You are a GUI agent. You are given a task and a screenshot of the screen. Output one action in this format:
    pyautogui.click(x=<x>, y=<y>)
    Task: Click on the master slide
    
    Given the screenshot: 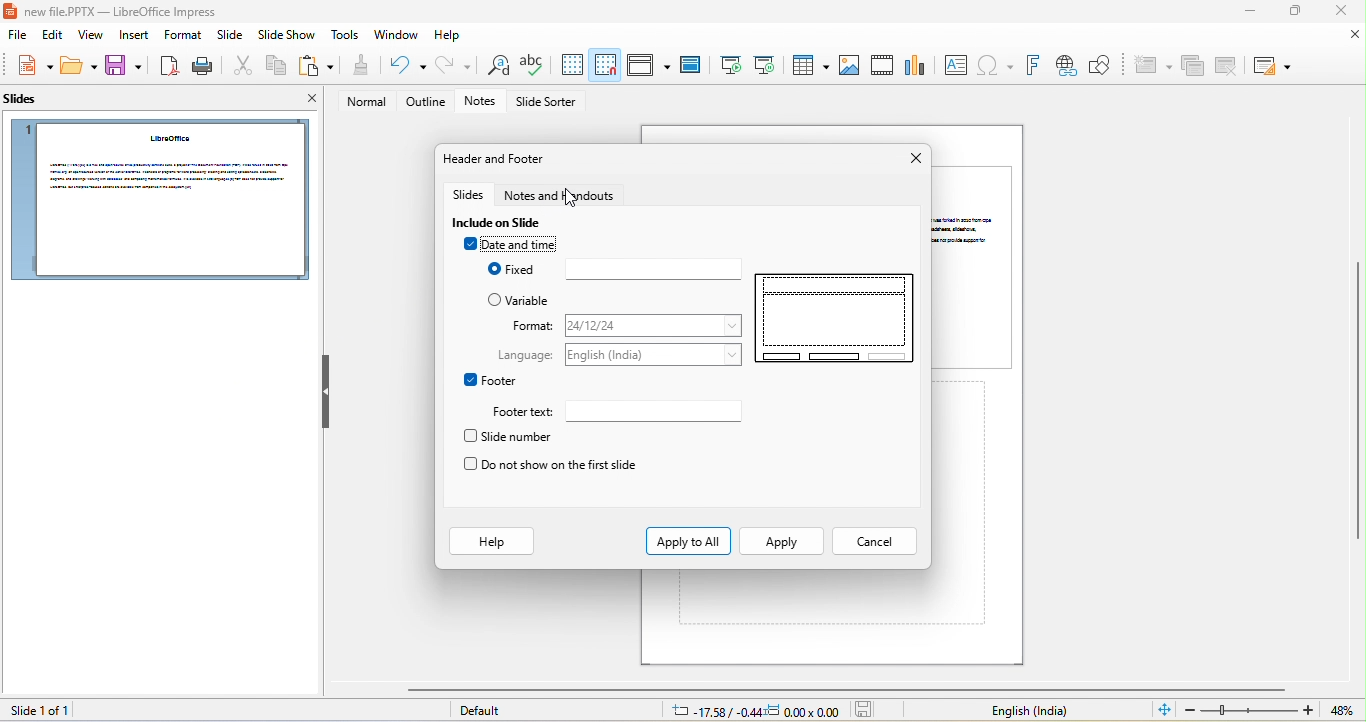 What is the action you would take?
    pyautogui.click(x=690, y=66)
    